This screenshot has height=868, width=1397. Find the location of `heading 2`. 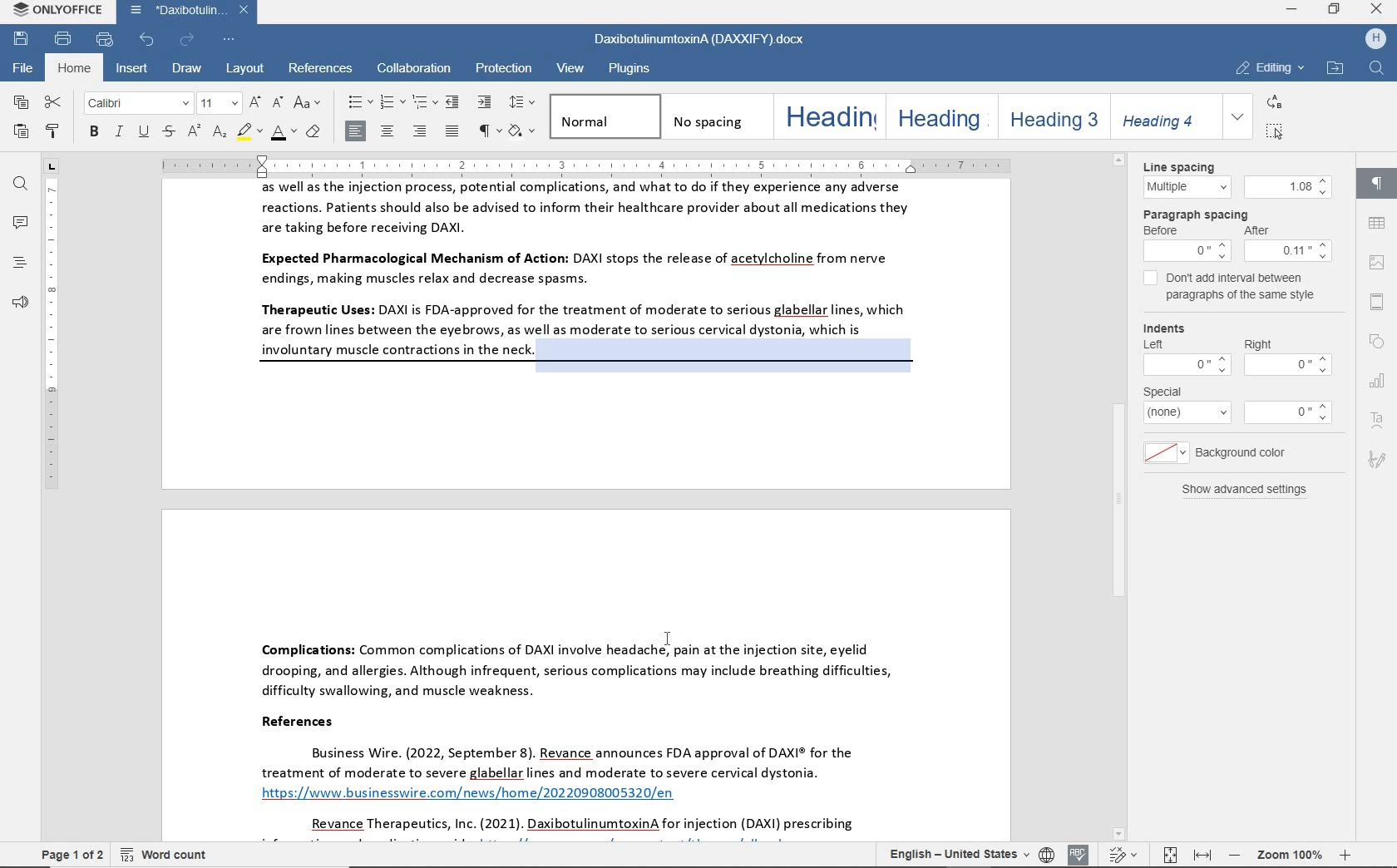

heading 2 is located at coordinates (938, 116).